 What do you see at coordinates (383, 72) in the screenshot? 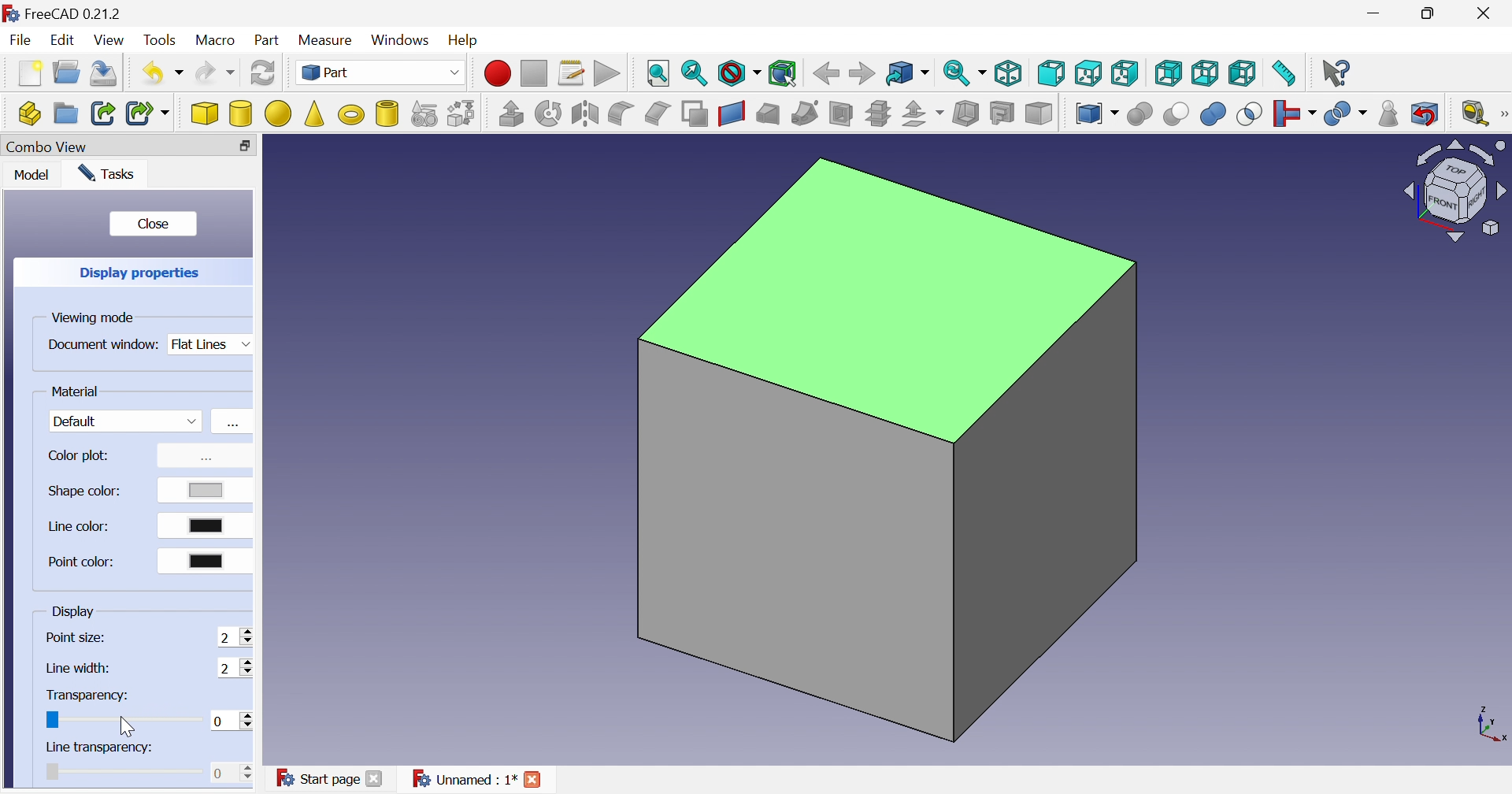
I see `Switch between workbenches` at bounding box center [383, 72].